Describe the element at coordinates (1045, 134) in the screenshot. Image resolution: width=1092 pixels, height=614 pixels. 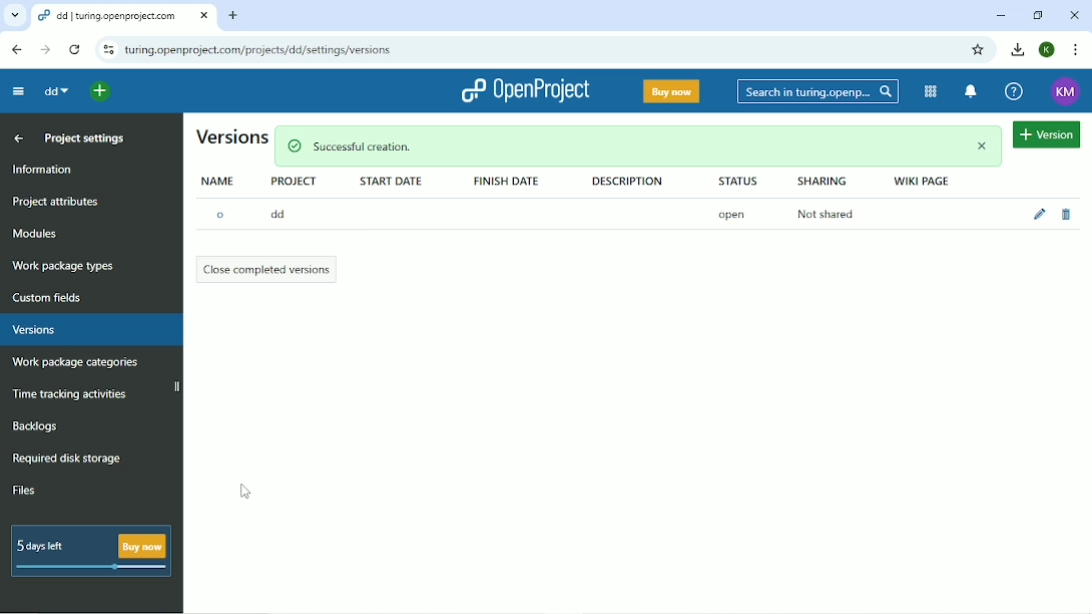
I see `version` at that location.